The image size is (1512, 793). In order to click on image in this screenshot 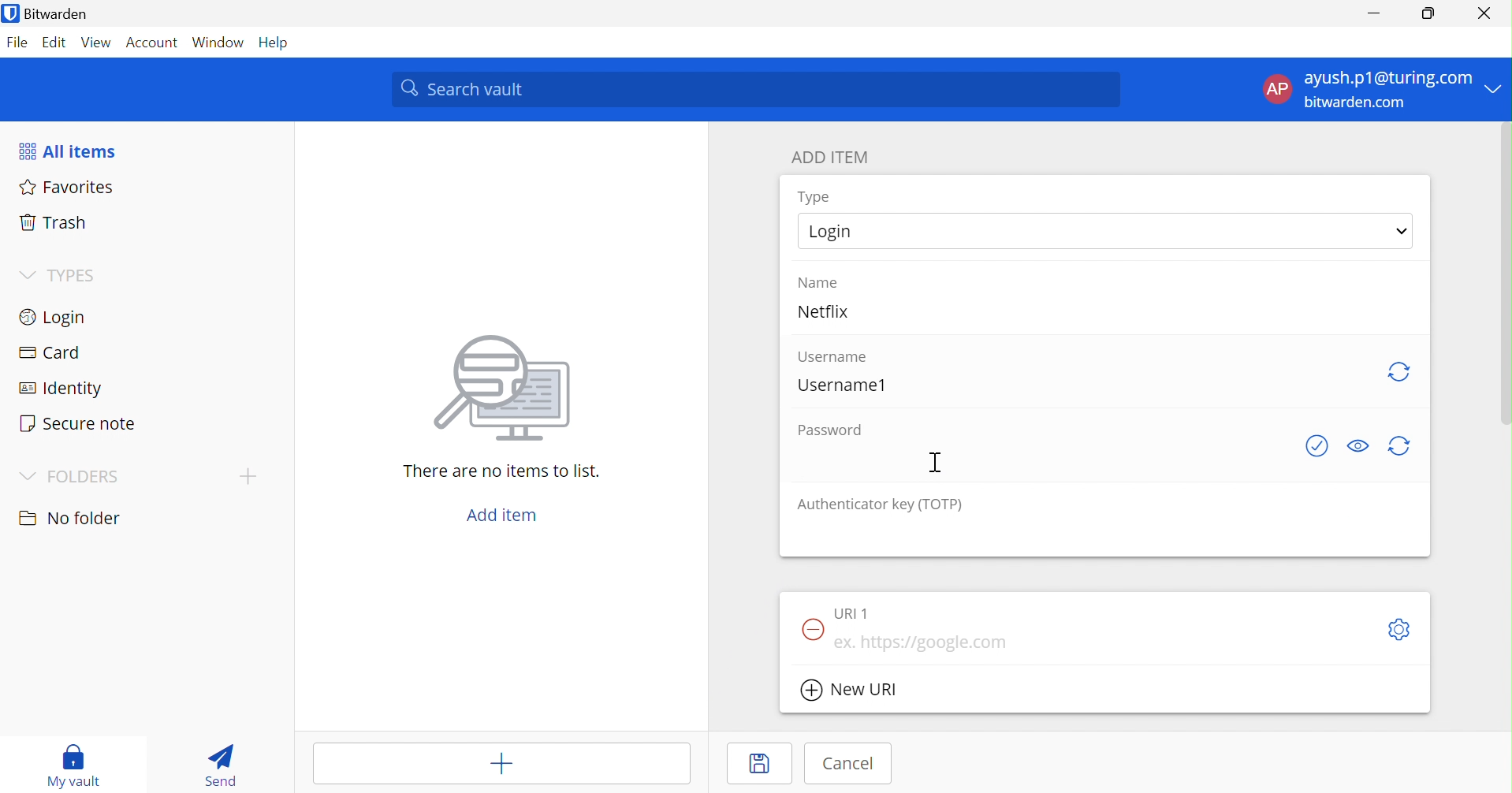, I will do `click(496, 393)`.